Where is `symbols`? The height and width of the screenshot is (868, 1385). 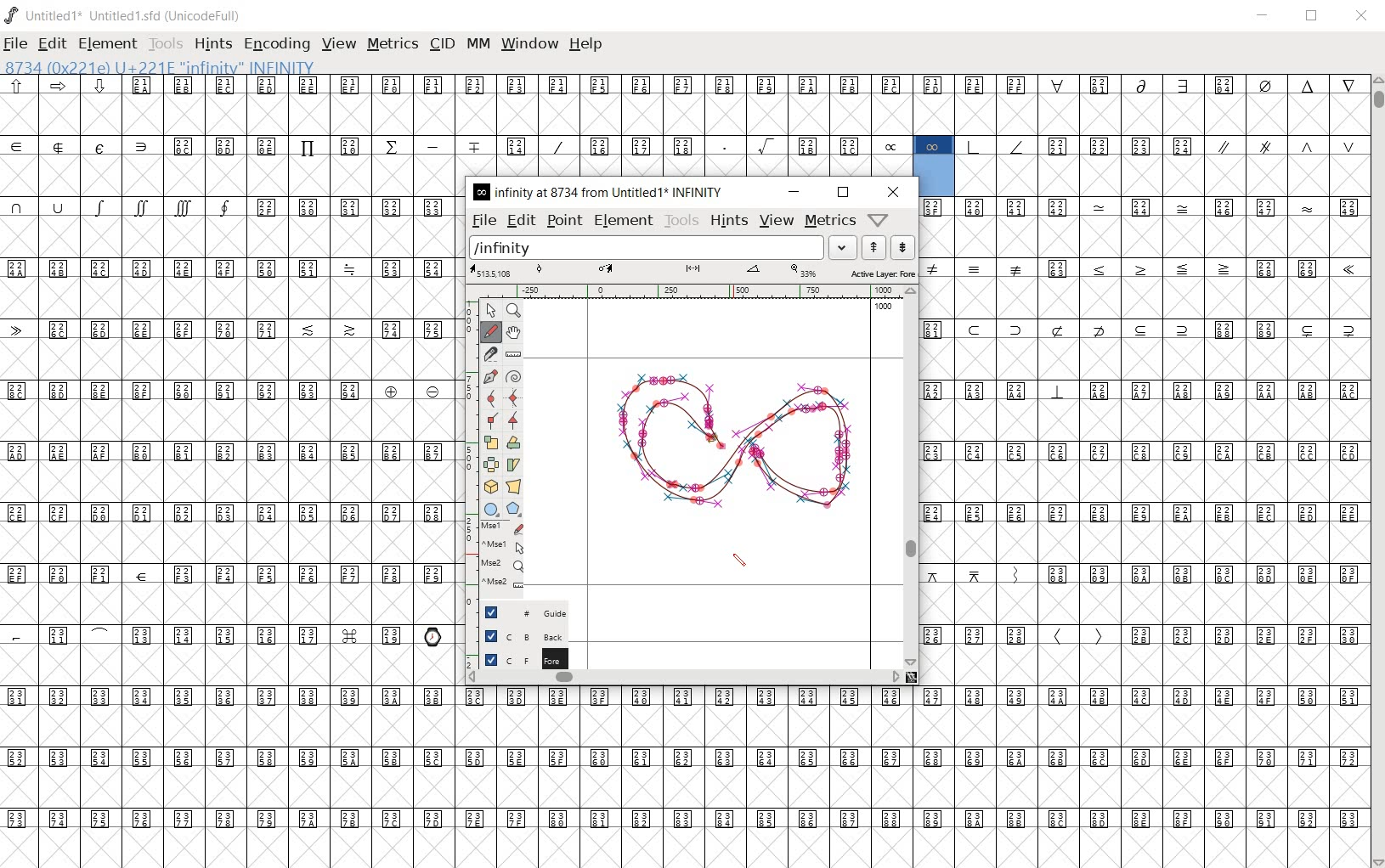 symbols is located at coordinates (983, 573).